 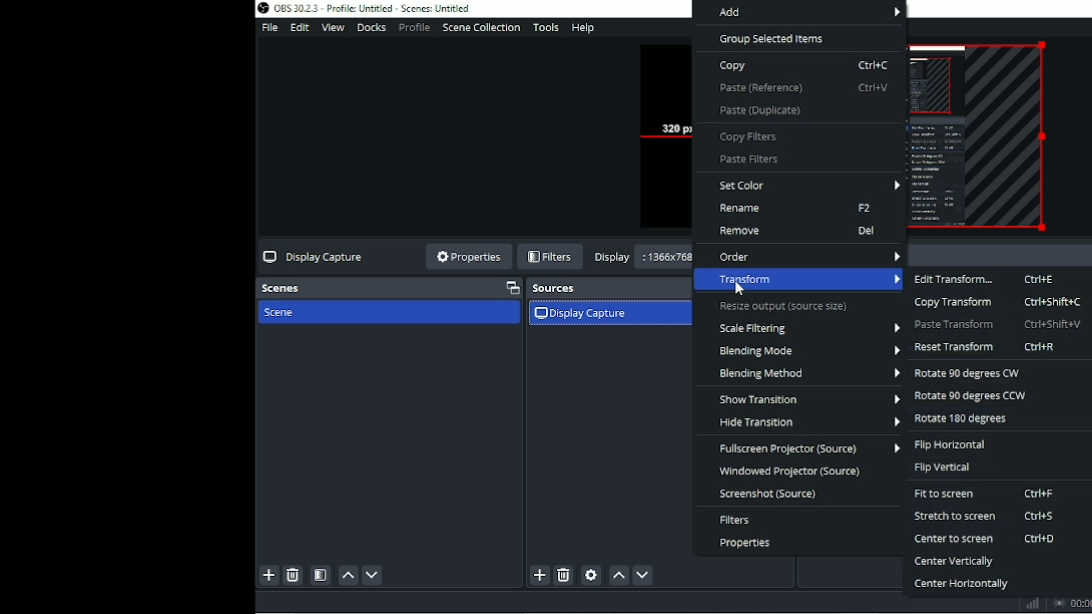 What do you see at coordinates (985, 493) in the screenshot?
I see `Fit to screen` at bounding box center [985, 493].